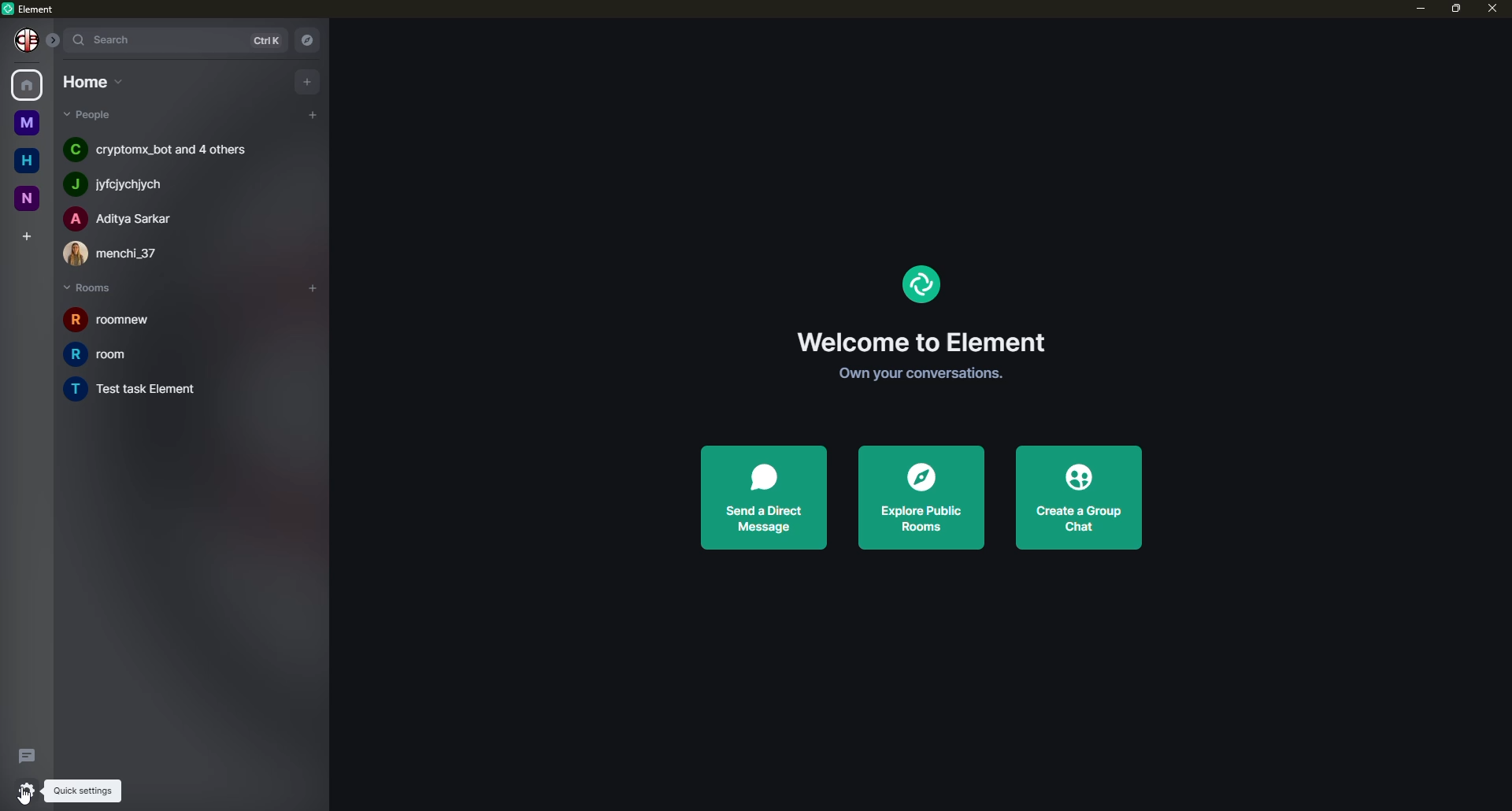  Describe the element at coordinates (156, 149) in the screenshot. I see `people` at that location.